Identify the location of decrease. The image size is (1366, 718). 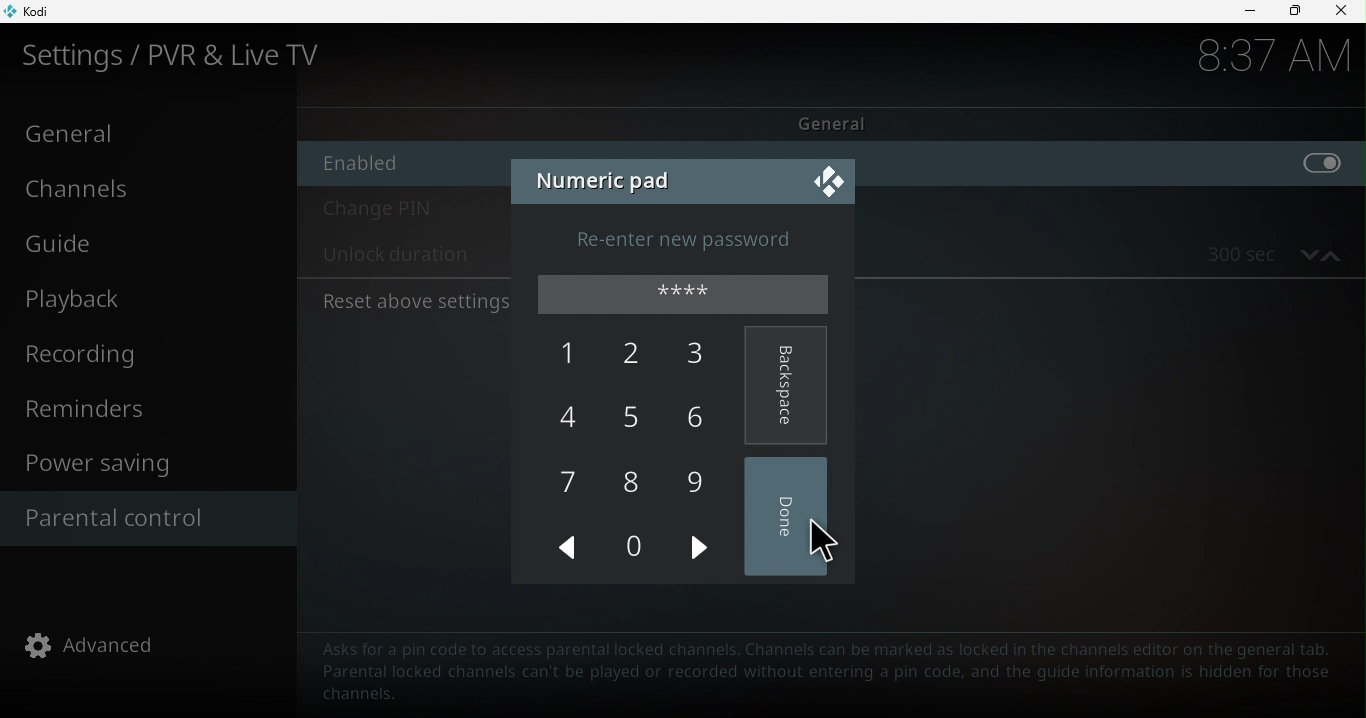
(1306, 253).